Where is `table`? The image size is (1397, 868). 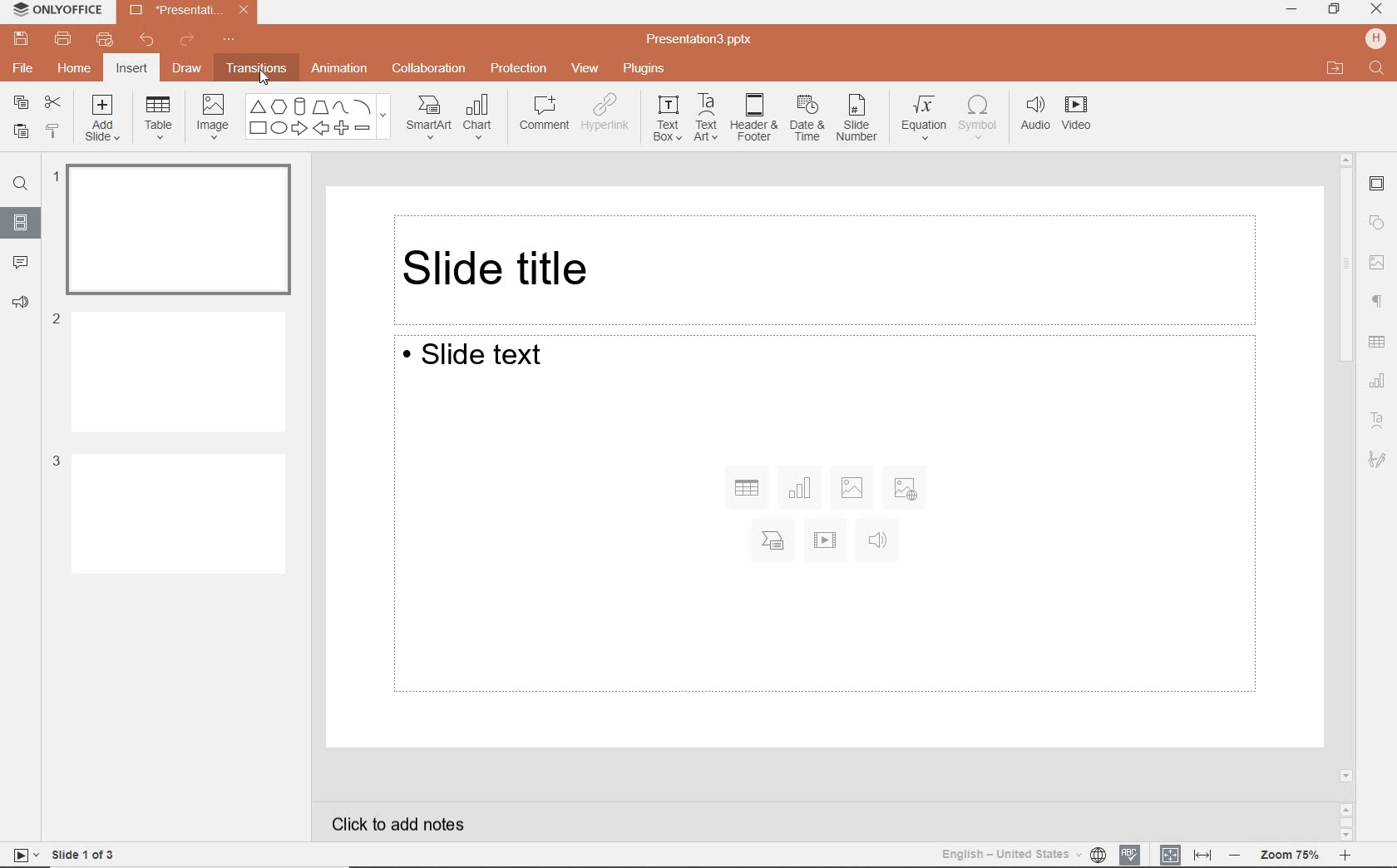 table is located at coordinates (157, 120).